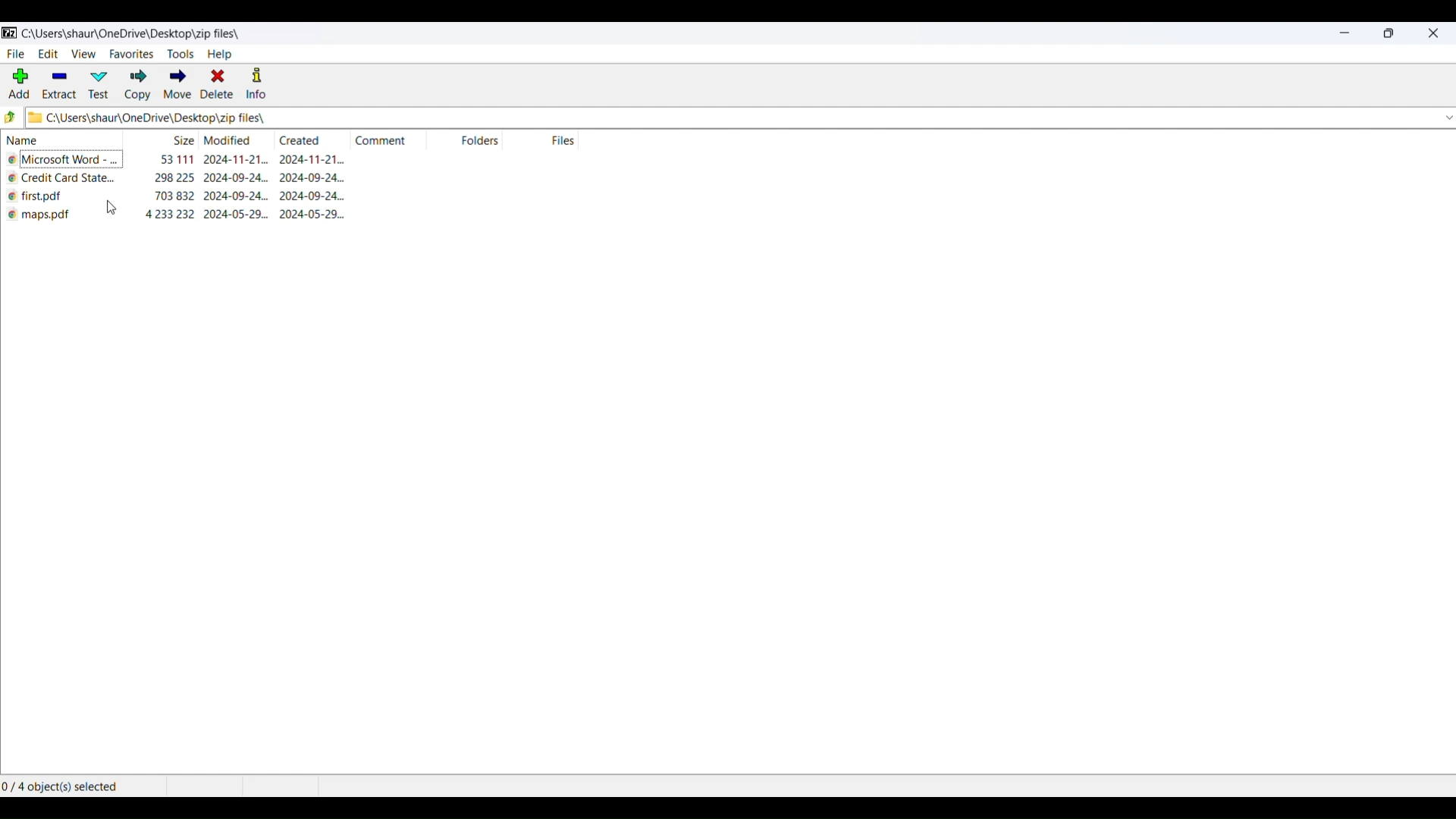 This screenshot has height=819, width=1456. I want to click on file size, so click(176, 179).